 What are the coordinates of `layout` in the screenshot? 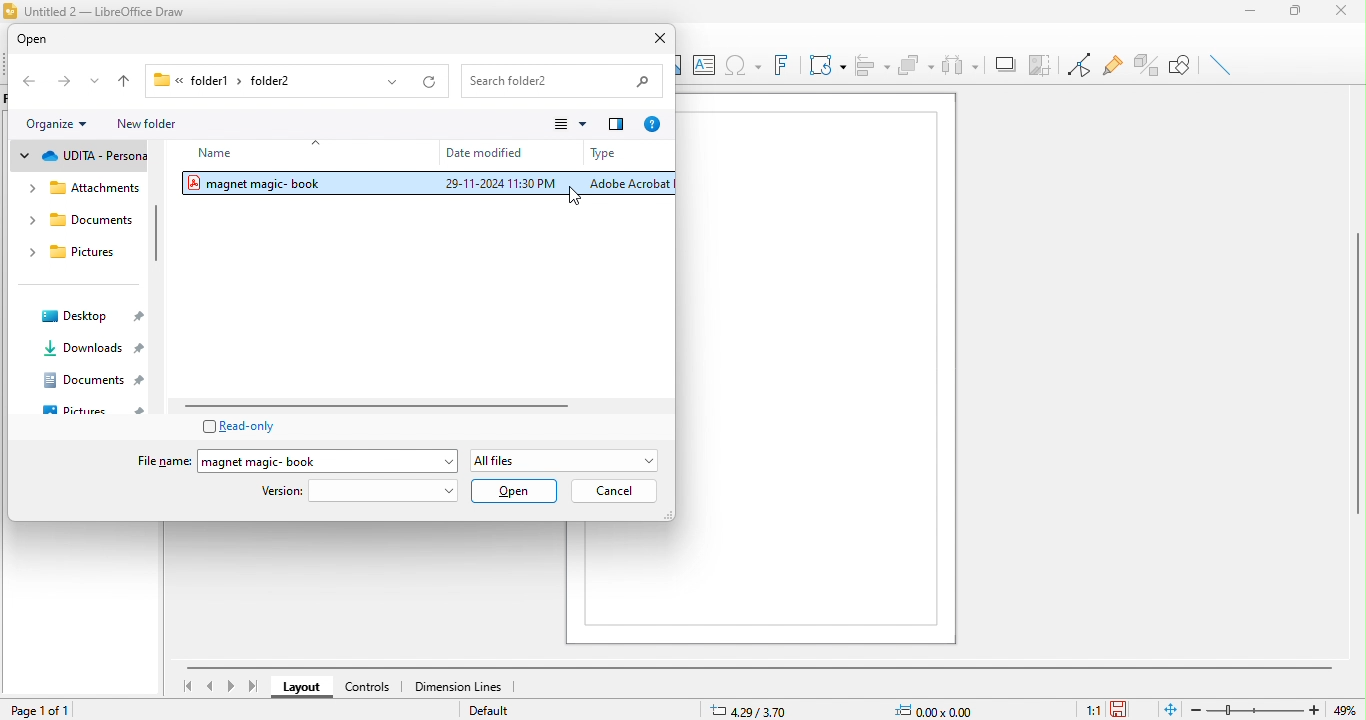 It's located at (302, 686).